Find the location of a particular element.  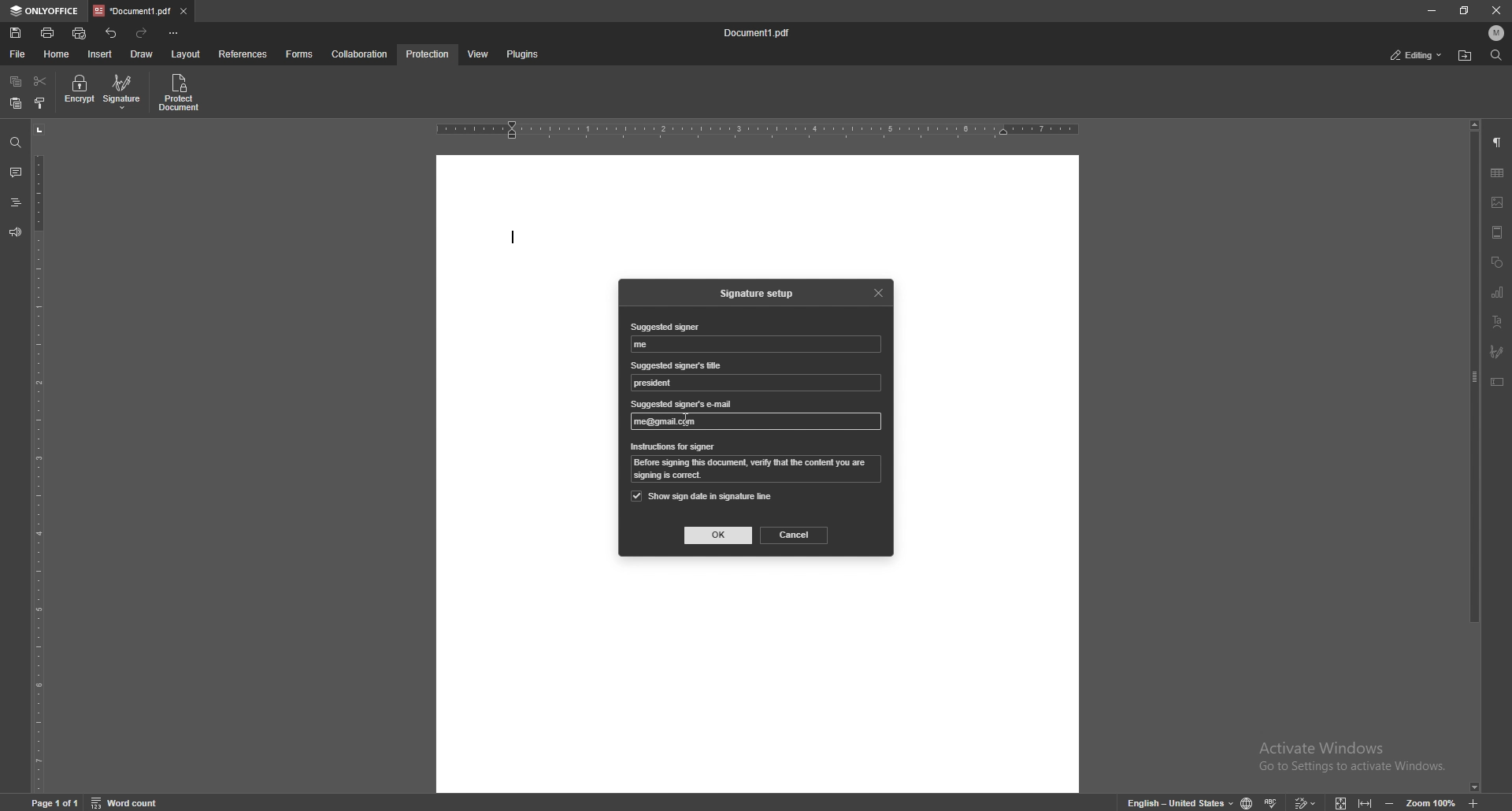

file is located at coordinates (19, 54).